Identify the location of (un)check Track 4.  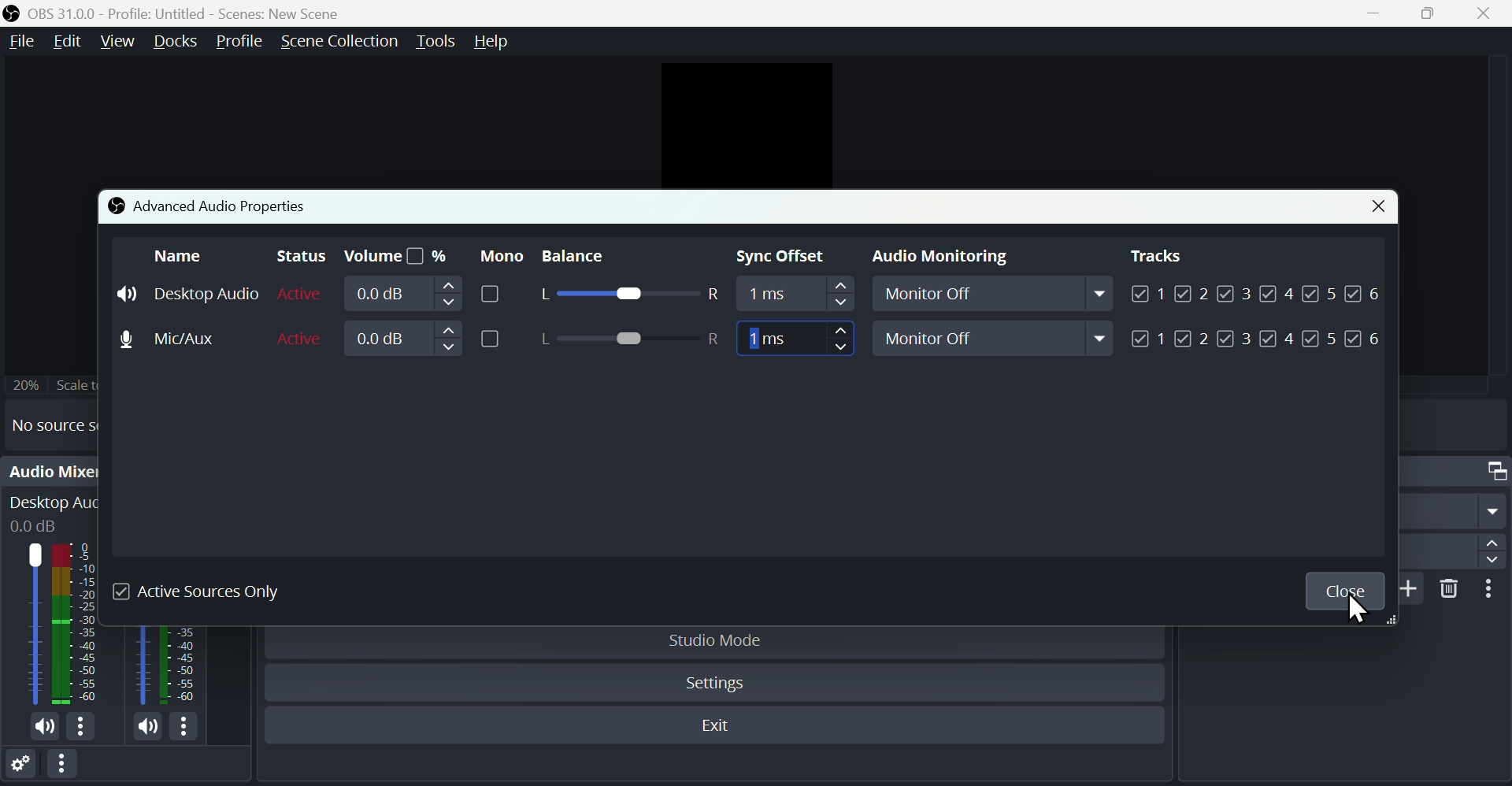
(1277, 339).